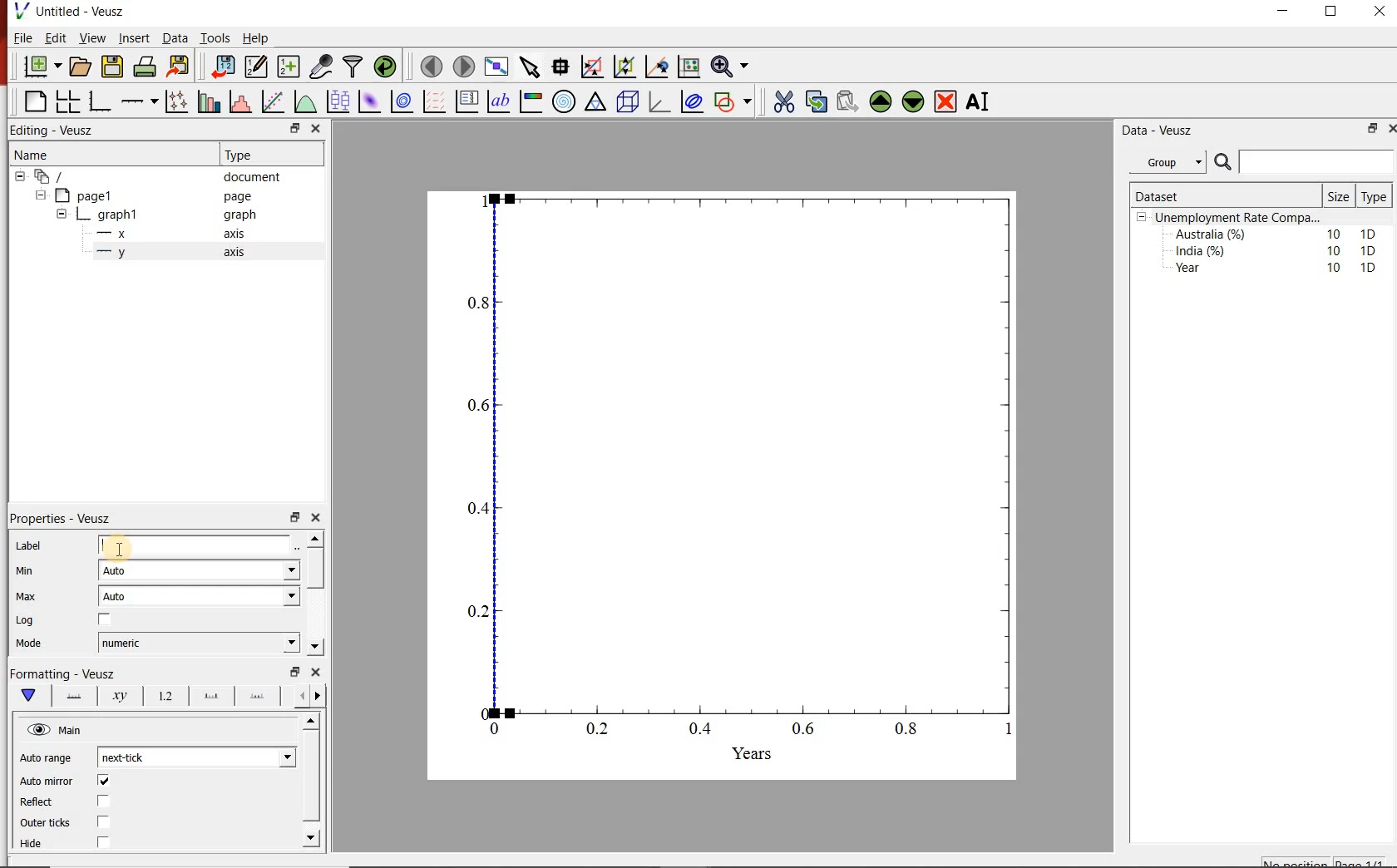  What do you see at coordinates (258, 694) in the screenshot?
I see `minor ticks` at bounding box center [258, 694].